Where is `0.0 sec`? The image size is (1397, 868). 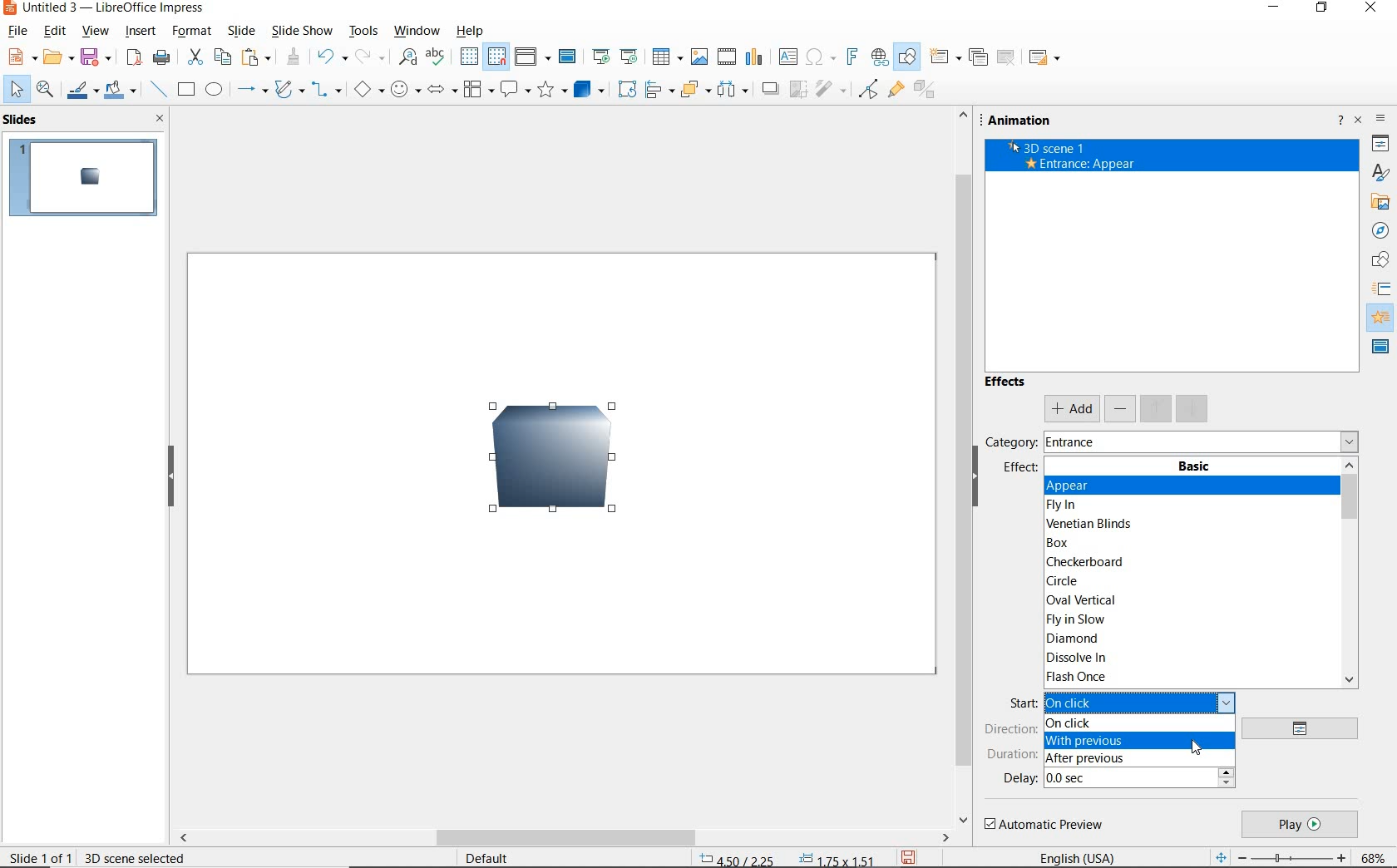 0.0 sec is located at coordinates (1140, 779).